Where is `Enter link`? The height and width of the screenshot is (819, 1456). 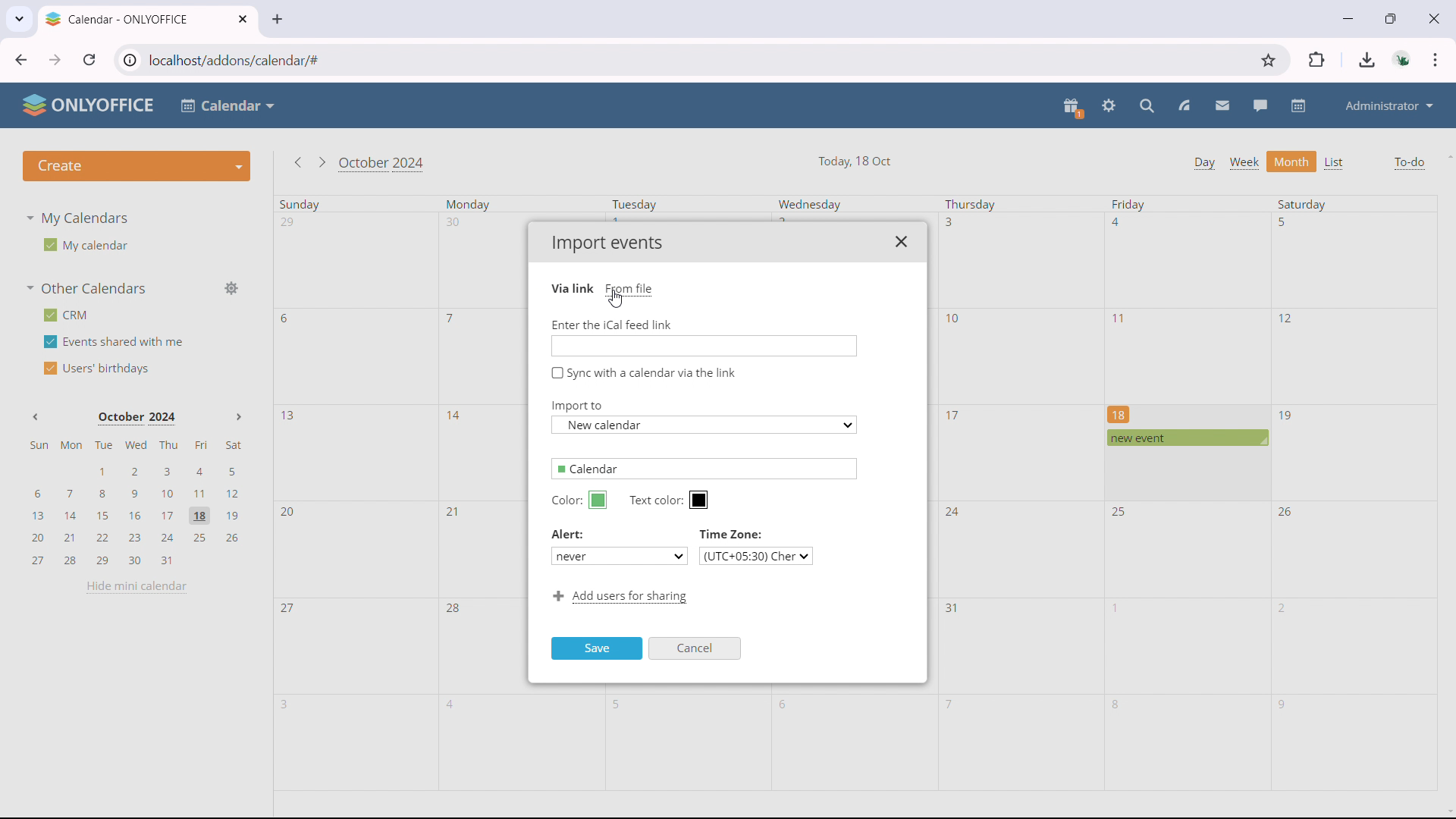 Enter link is located at coordinates (704, 345).